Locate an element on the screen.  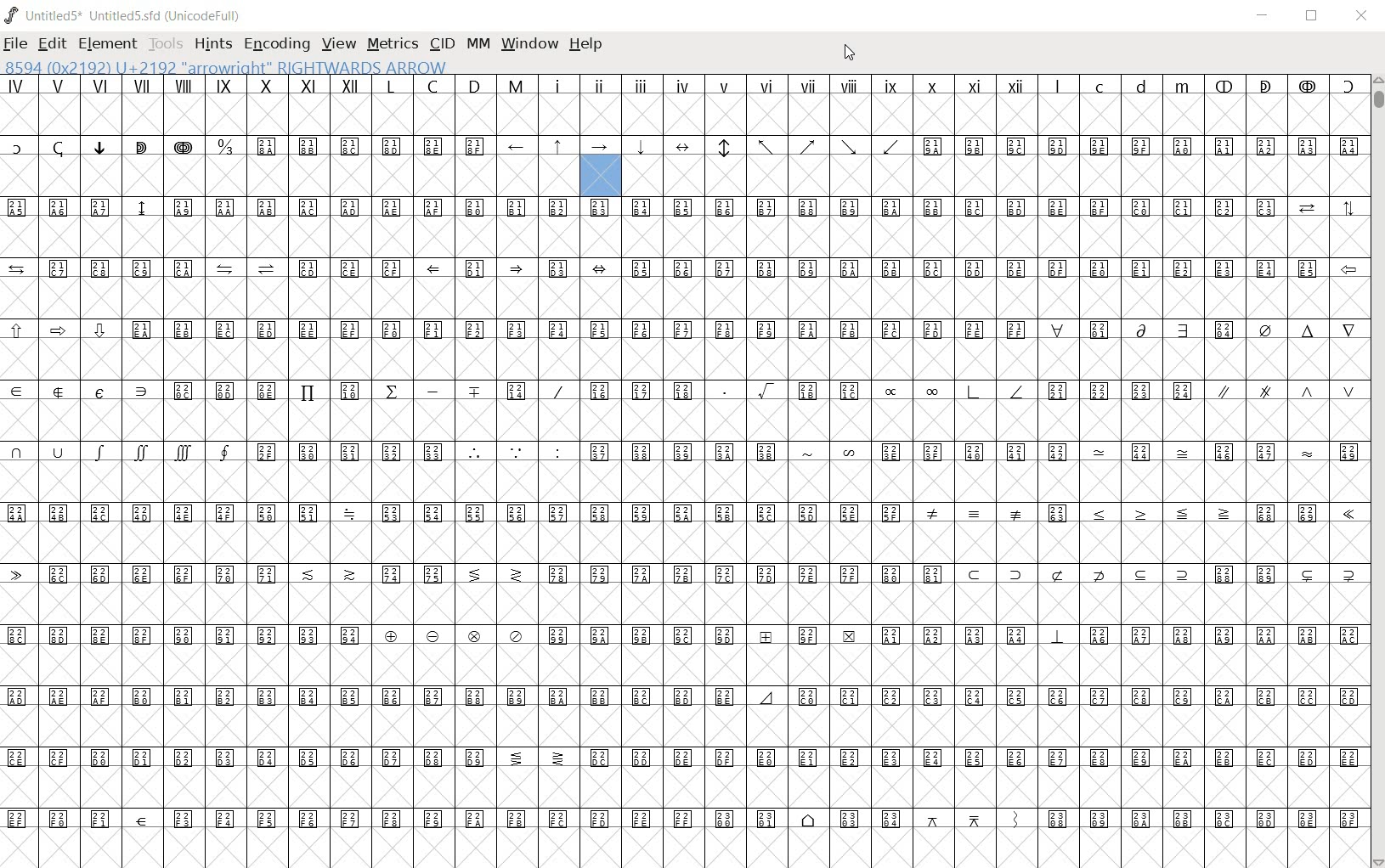
Untitled5* Untitled5.sfd (UnicodeFull) is located at coordinates (126, 15).